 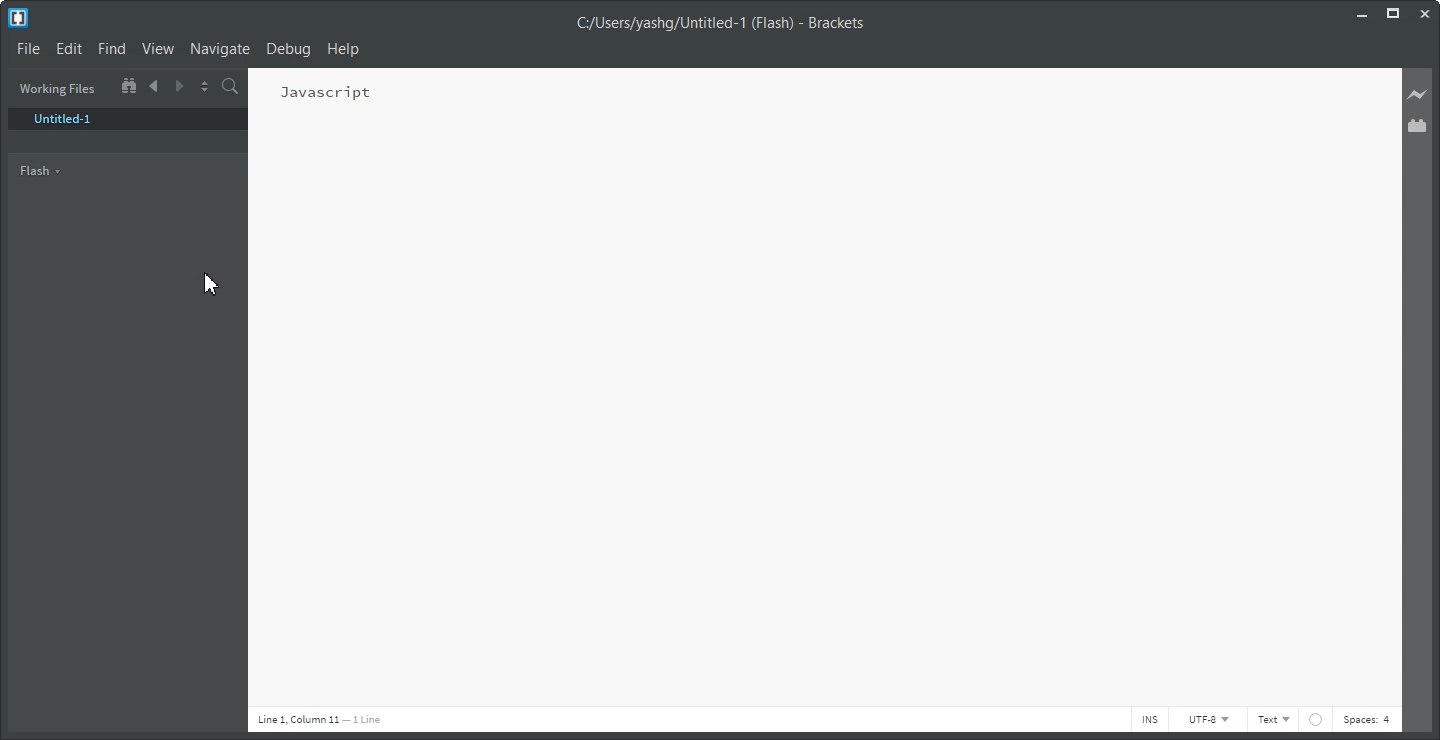 What do you see at coordinates (290, 50) in the screenshot?
I see `Debug` at bounding box center [290, 50].